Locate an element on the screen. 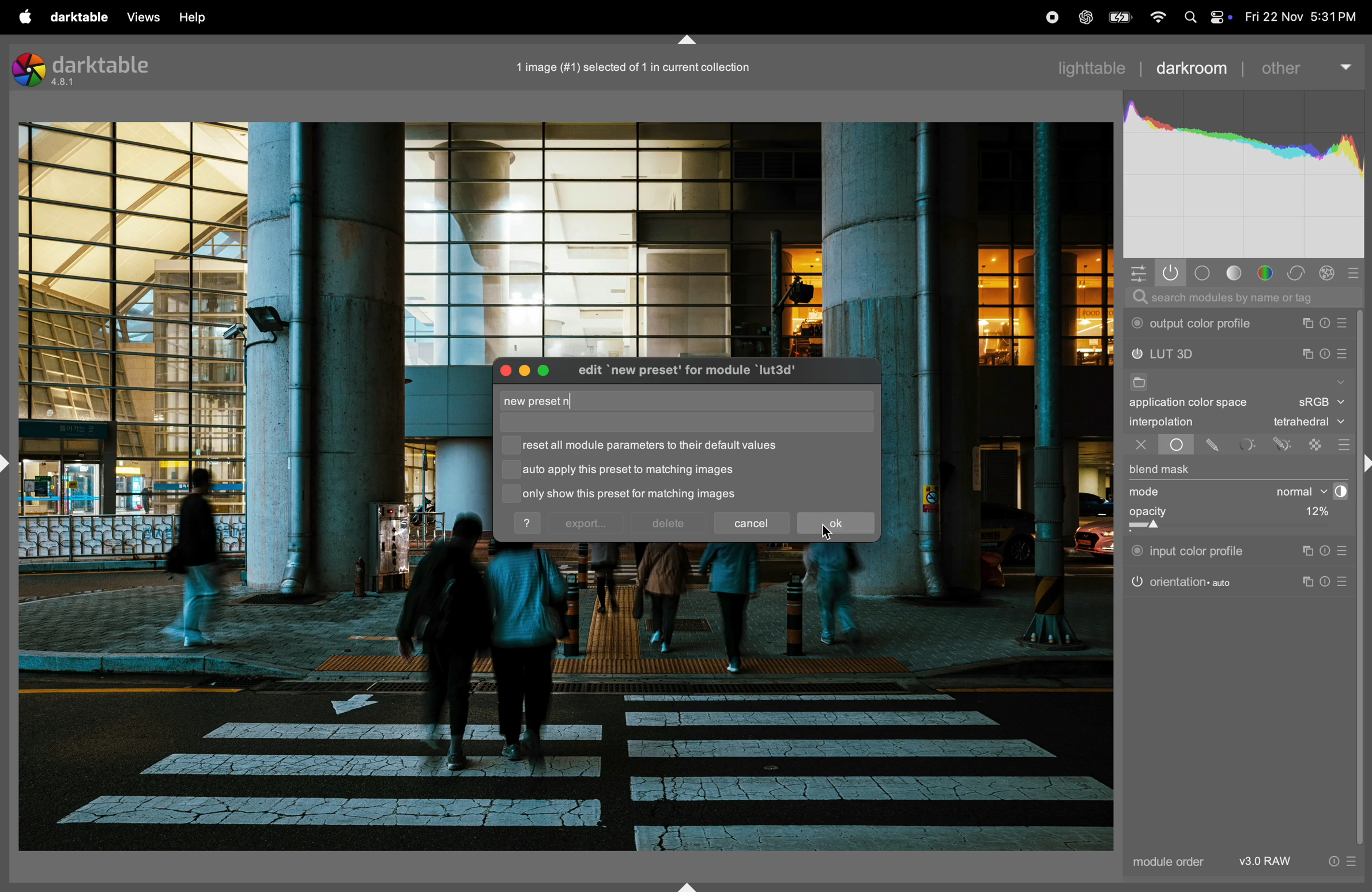  correct is located at coordinates (1299, 273).